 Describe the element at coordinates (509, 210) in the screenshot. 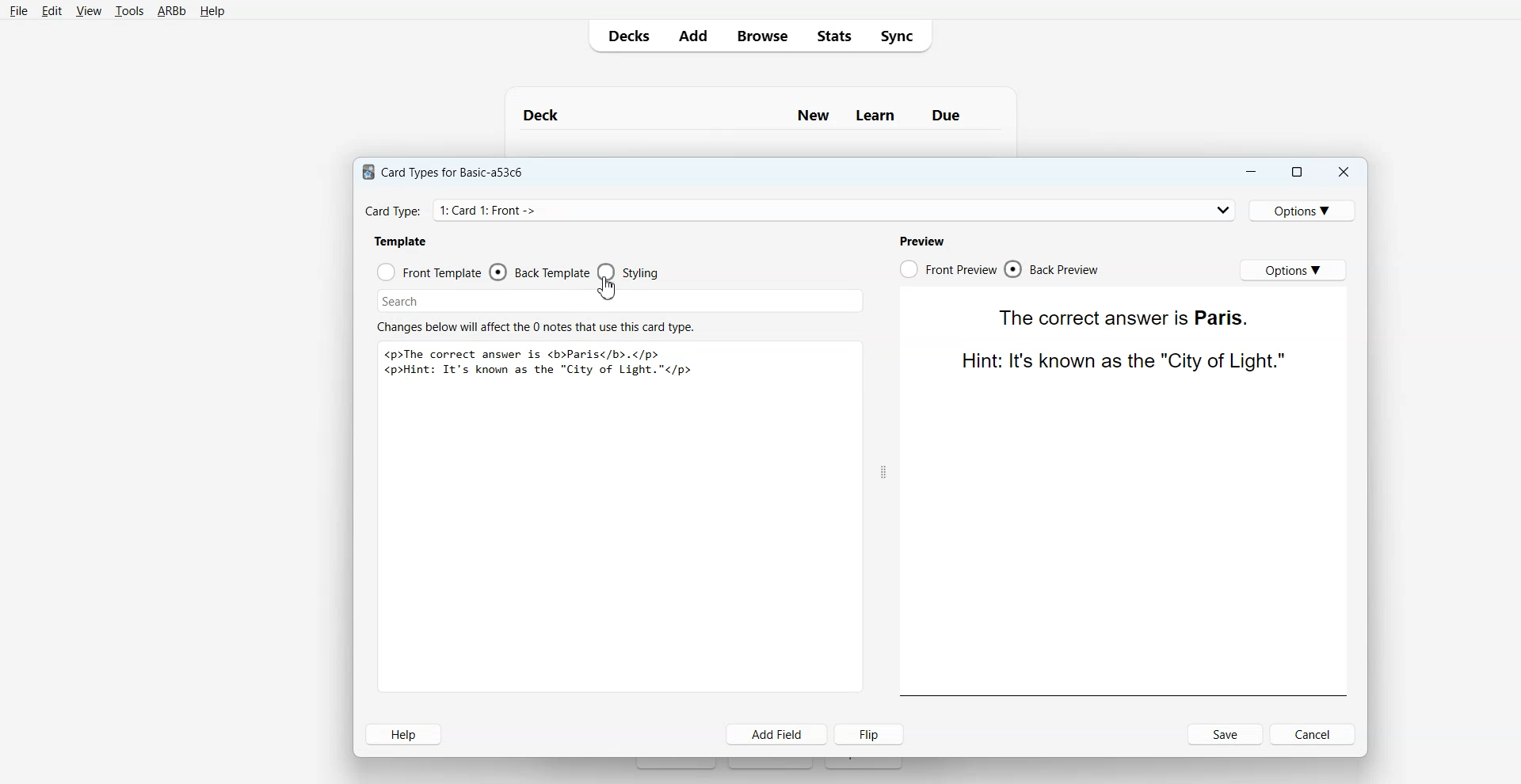

I see `Card Type: 1: Card 1: Front -> Back` at that location.